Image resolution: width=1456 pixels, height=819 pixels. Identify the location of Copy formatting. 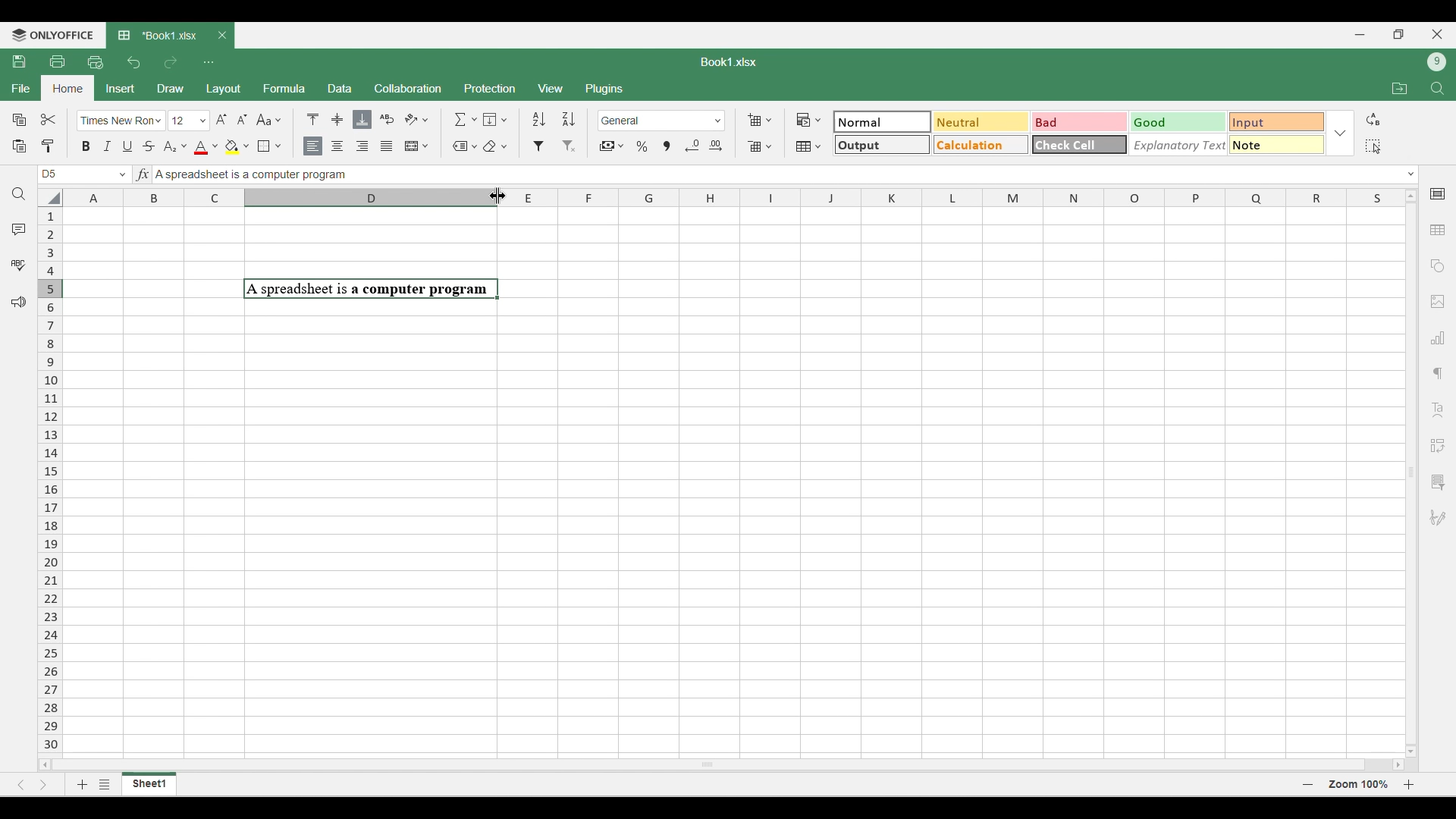
(49, 146).